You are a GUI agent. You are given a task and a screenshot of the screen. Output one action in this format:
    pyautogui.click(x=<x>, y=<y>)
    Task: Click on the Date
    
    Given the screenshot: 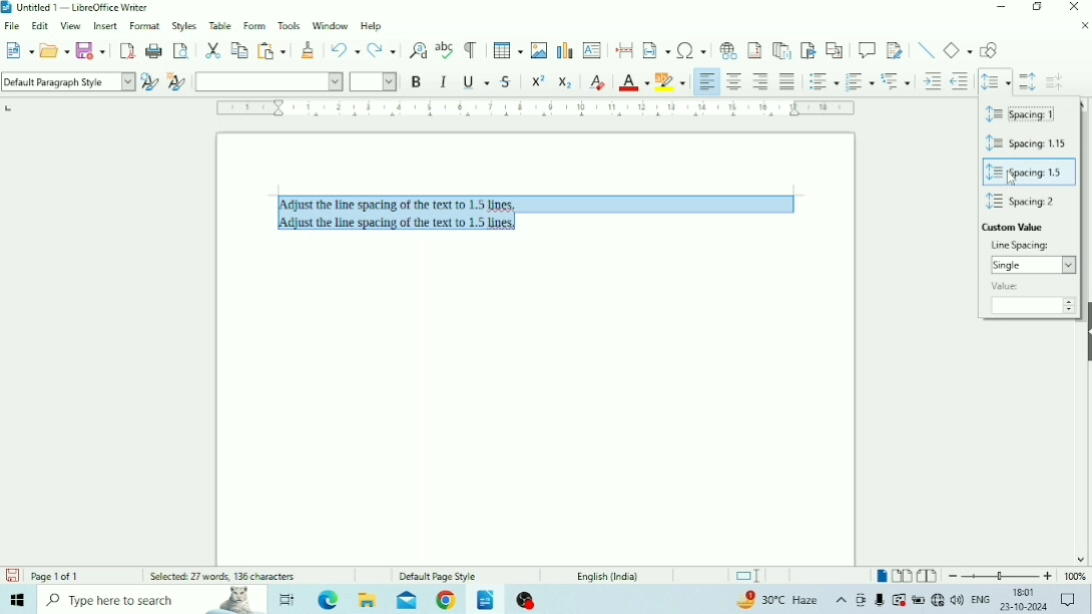 What is the action you would take?
    pyautogui.click(x=1024, y=606)
    